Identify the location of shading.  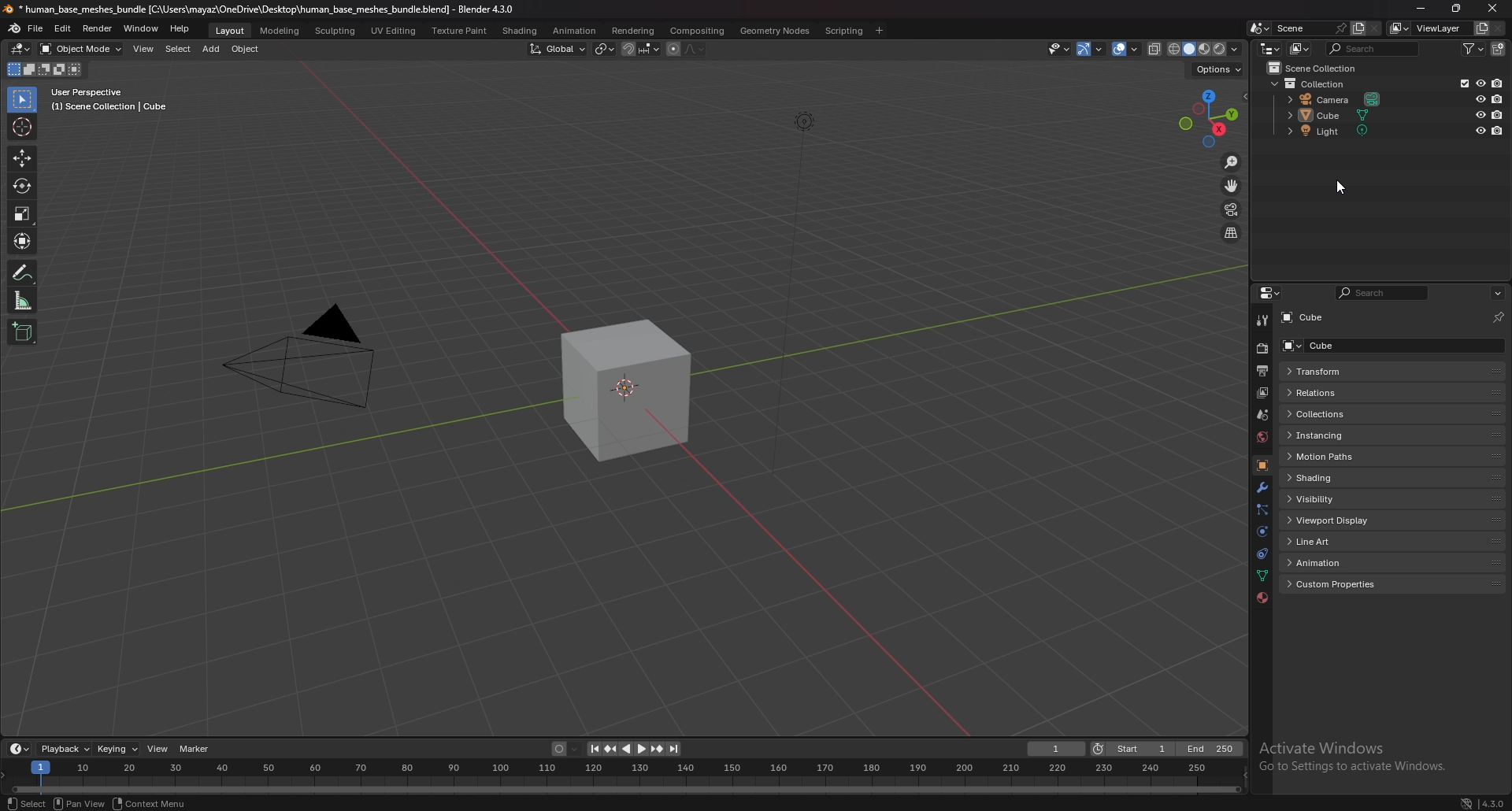
(521, 31).